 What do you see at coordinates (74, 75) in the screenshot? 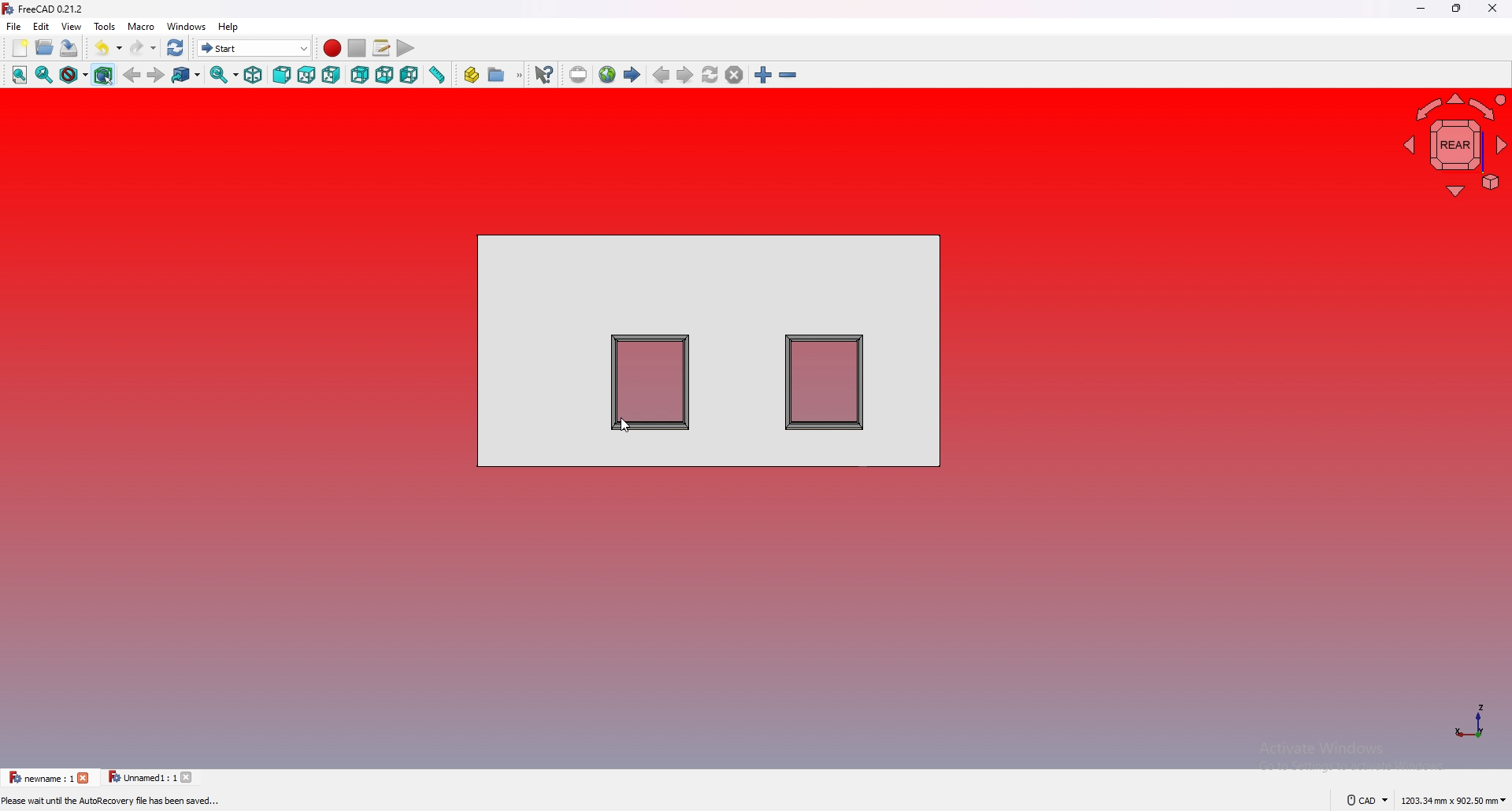
I see `draw style` at bounding box center [74, 75].